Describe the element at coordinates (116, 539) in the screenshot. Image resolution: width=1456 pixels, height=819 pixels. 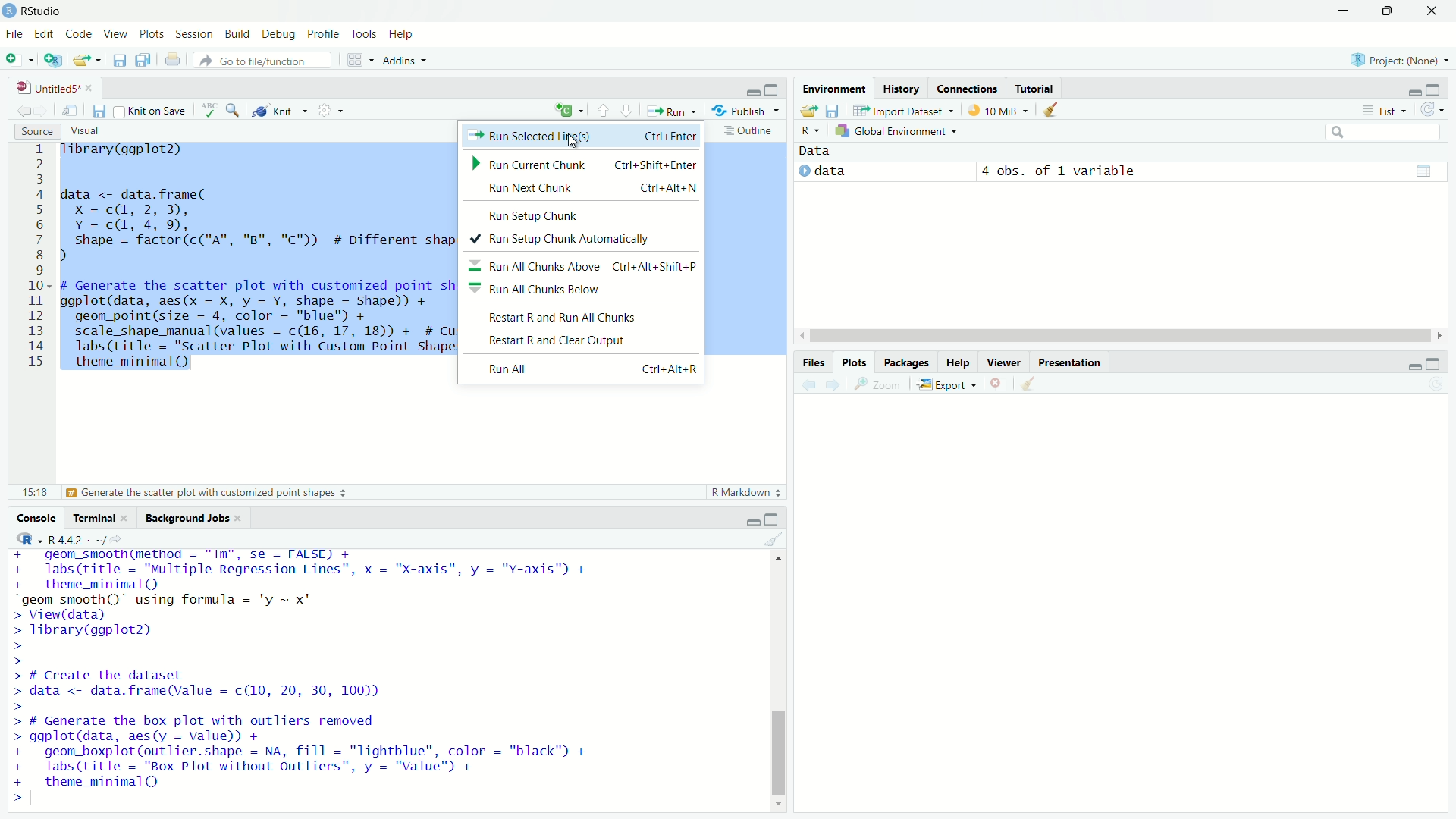
I see `View the current working current directory` at that location.